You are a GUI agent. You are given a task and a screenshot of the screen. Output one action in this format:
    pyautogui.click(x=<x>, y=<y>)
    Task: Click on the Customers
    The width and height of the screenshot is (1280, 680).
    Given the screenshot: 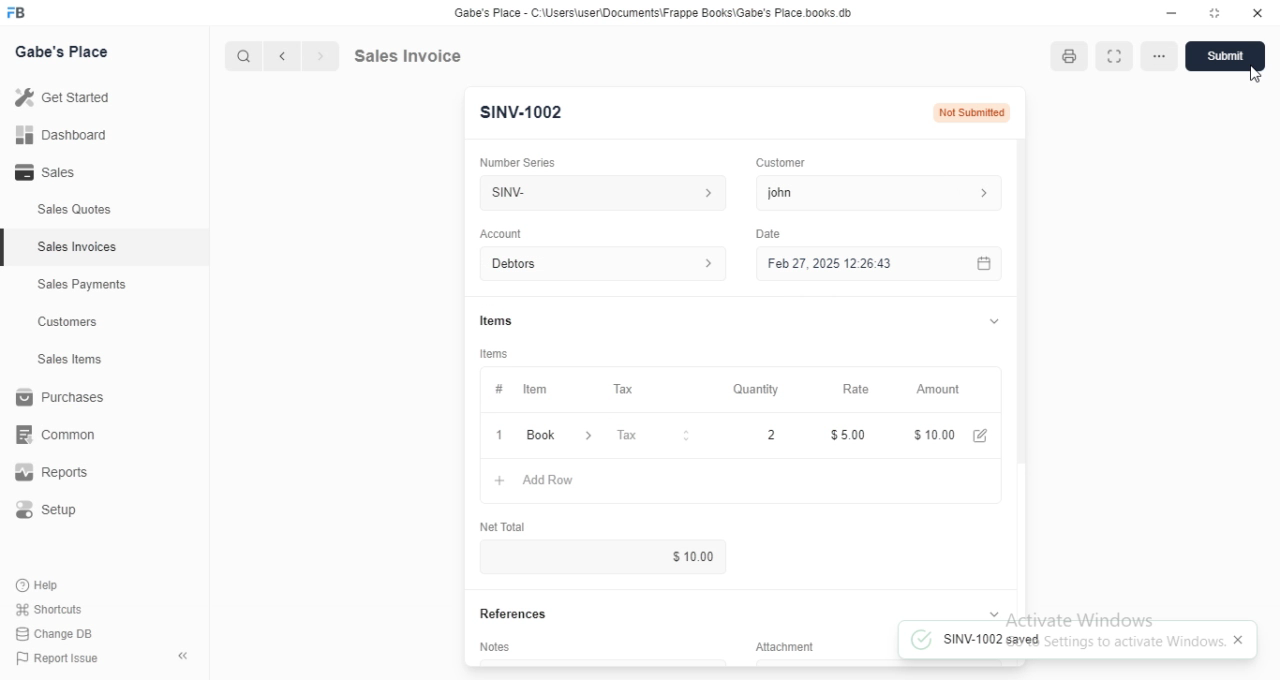 What is the action you would take?
    pyautogui.click(x=67, y=323)
    